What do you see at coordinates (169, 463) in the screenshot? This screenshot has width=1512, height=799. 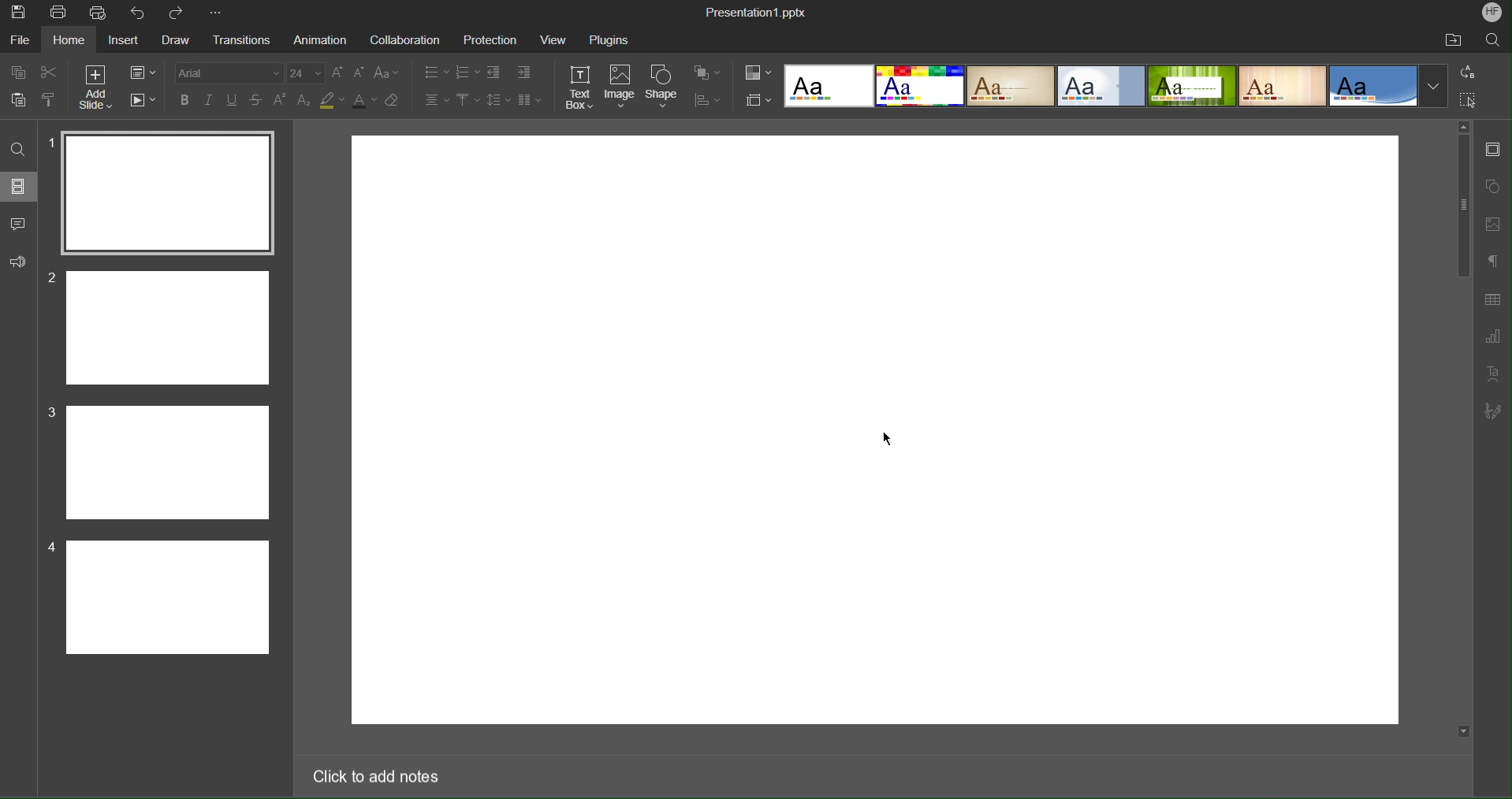 I see `Slide 3` at bounding box center [169, 463].